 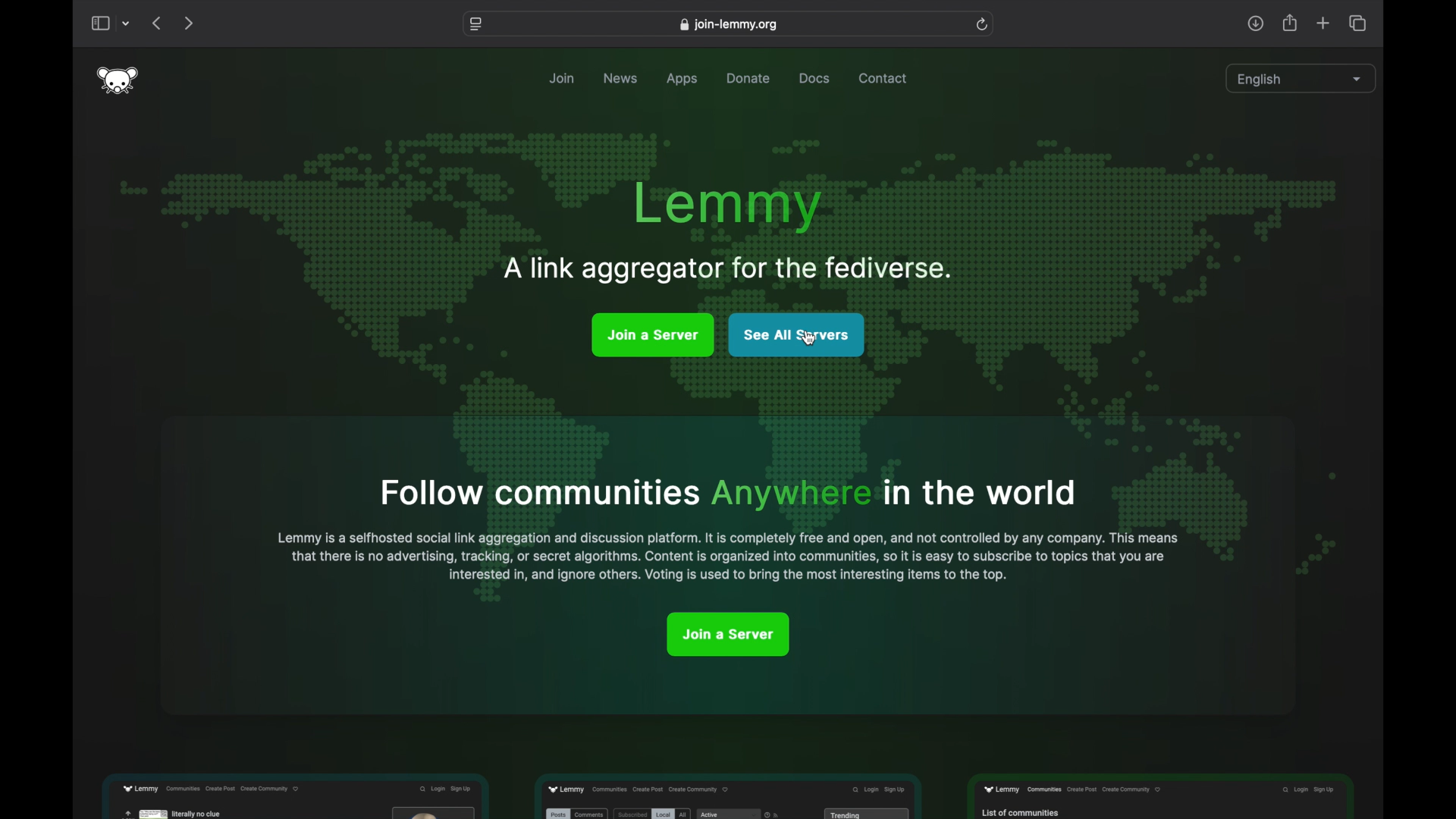 I want to click on refresh, so click(x=984, y=24).